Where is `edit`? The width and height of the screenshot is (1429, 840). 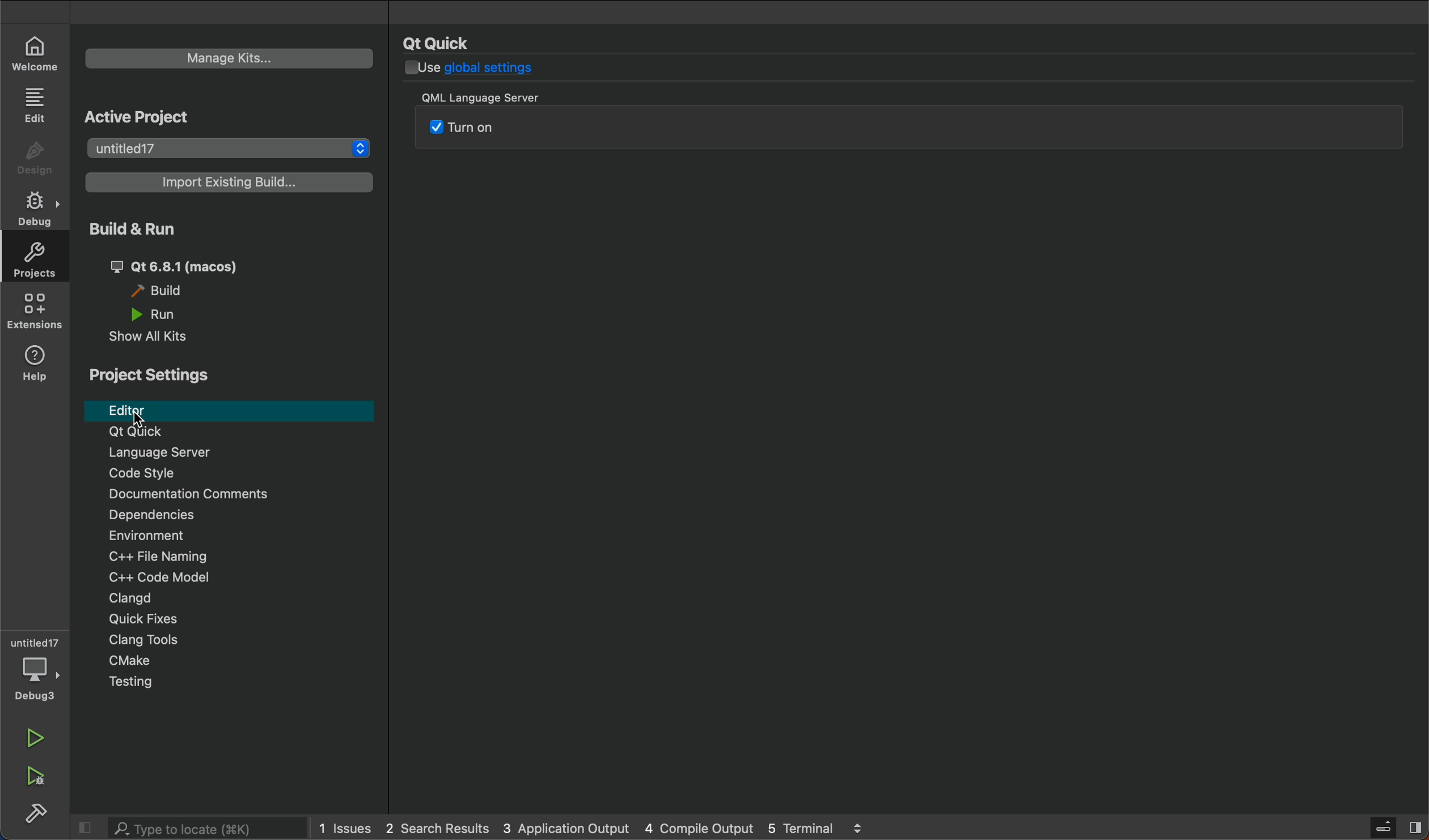
edit is located at coordinates (36, 107).